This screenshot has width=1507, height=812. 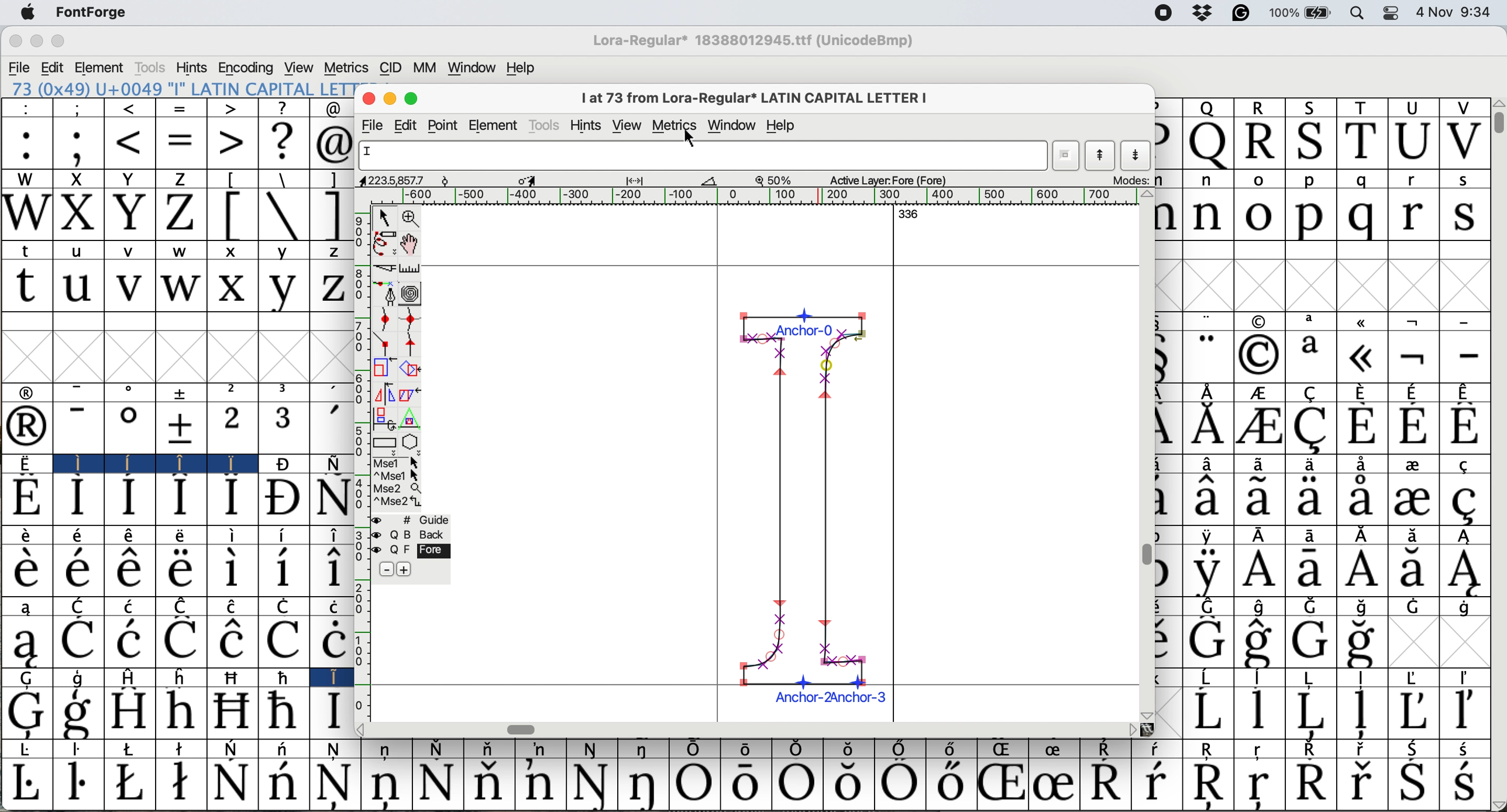 I want to click on guide, so click(x=426, y=519).